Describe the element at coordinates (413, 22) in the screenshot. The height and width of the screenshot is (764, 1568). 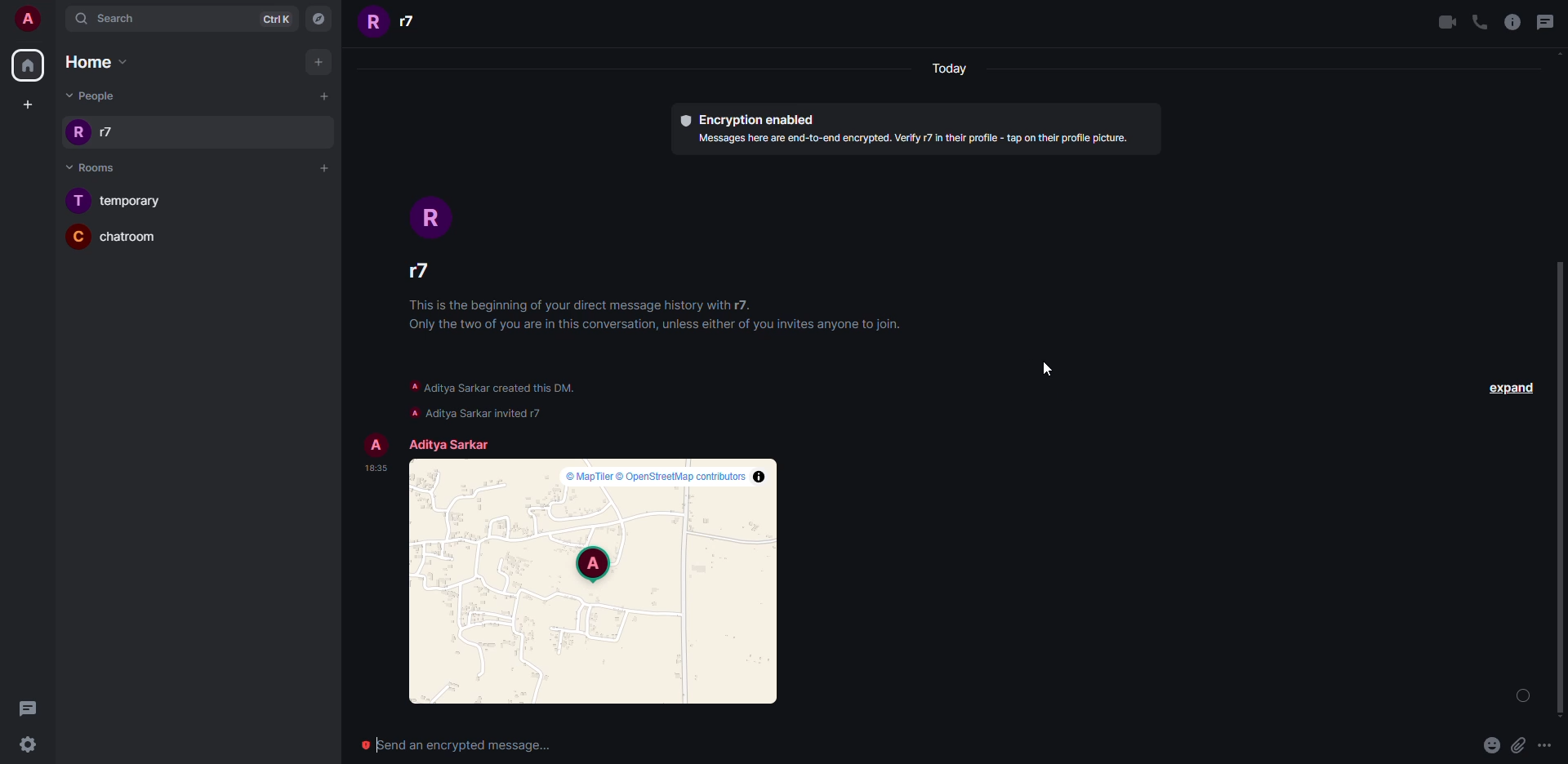
I see `r7` at that location.